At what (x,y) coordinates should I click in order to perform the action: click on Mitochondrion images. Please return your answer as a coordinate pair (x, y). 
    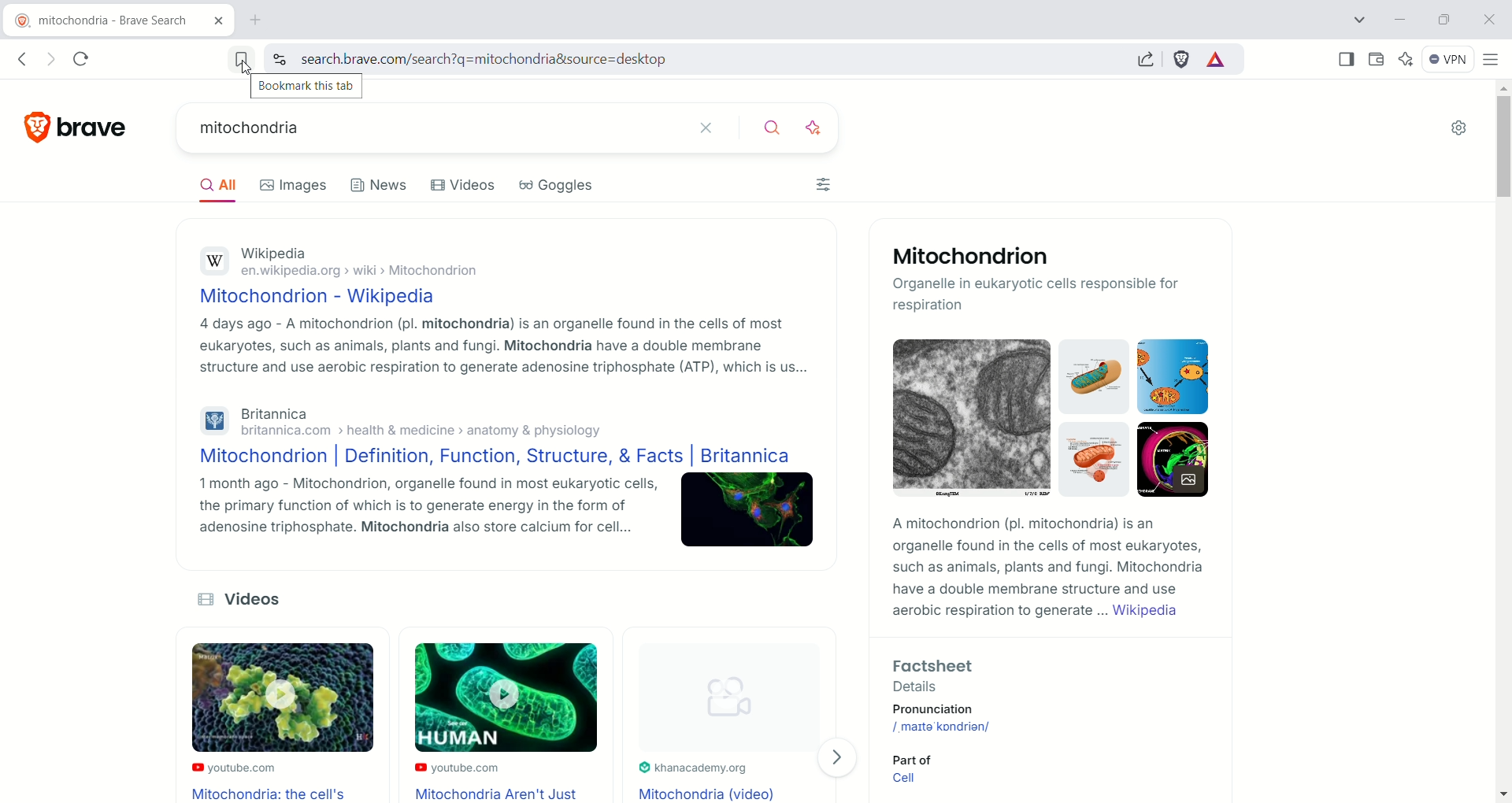
    Looking at the image, I should click on (1043, 424).